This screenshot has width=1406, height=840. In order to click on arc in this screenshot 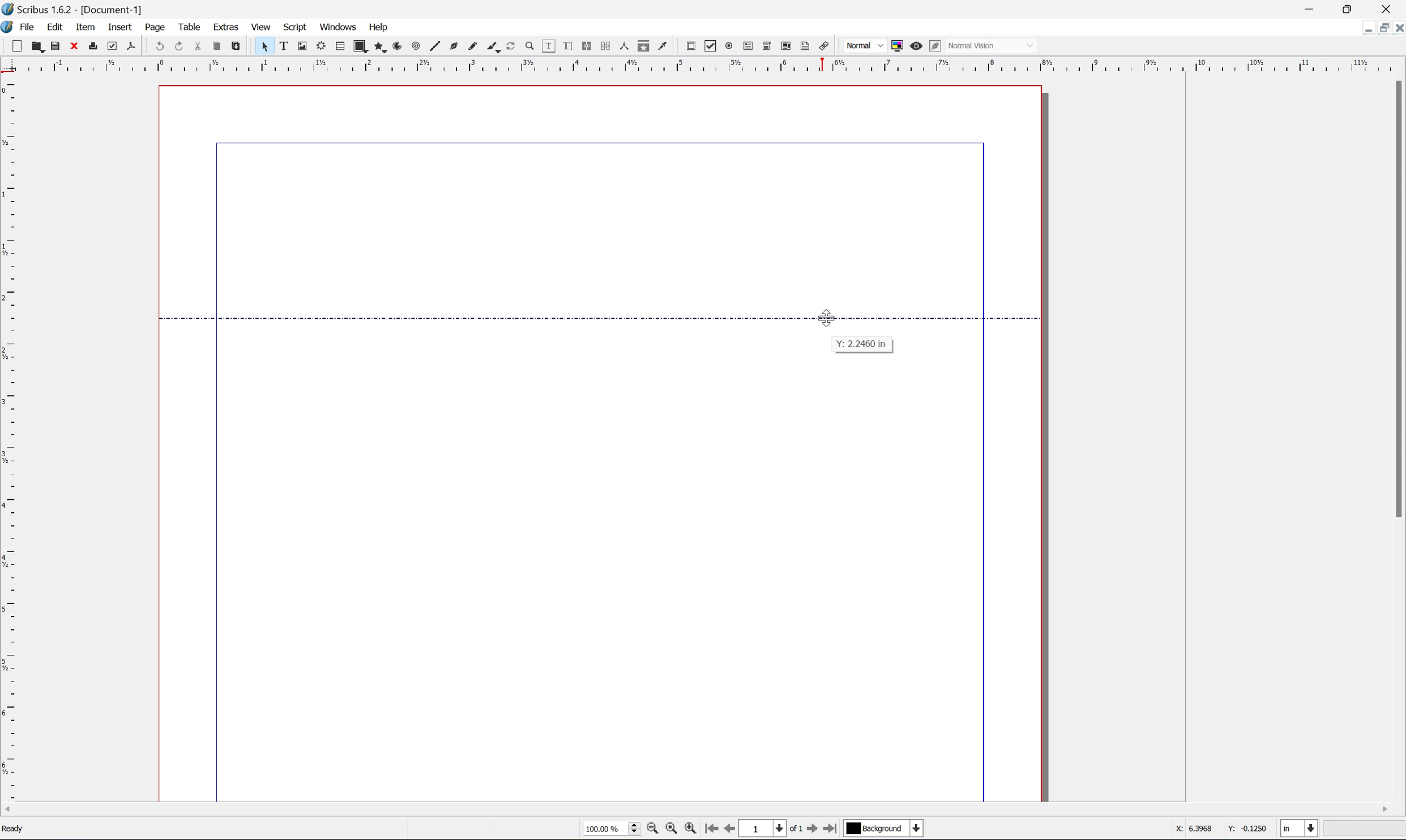, I will do `click(398, 46)`.